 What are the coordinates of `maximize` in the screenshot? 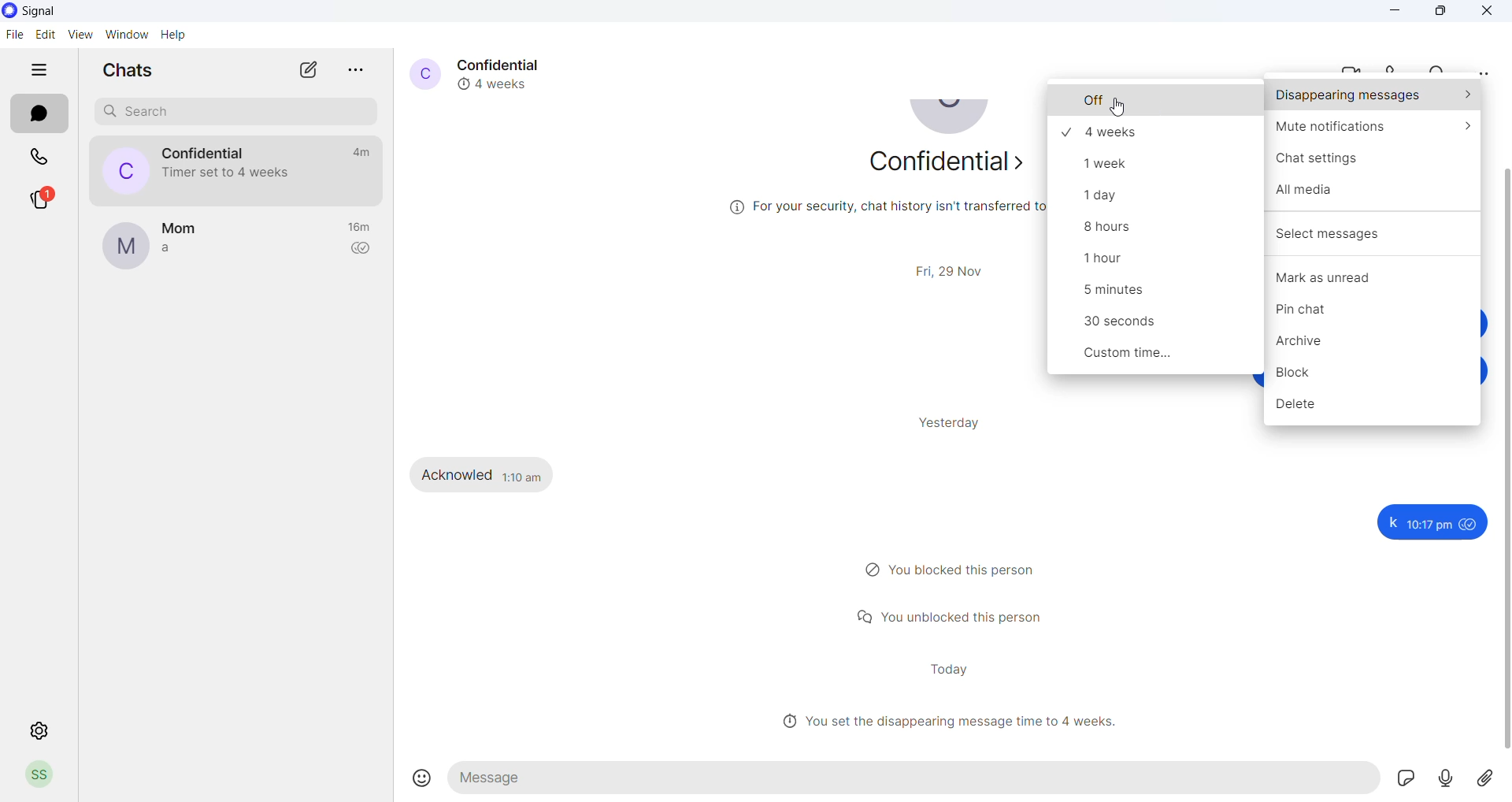 It's located at (1442, 12).